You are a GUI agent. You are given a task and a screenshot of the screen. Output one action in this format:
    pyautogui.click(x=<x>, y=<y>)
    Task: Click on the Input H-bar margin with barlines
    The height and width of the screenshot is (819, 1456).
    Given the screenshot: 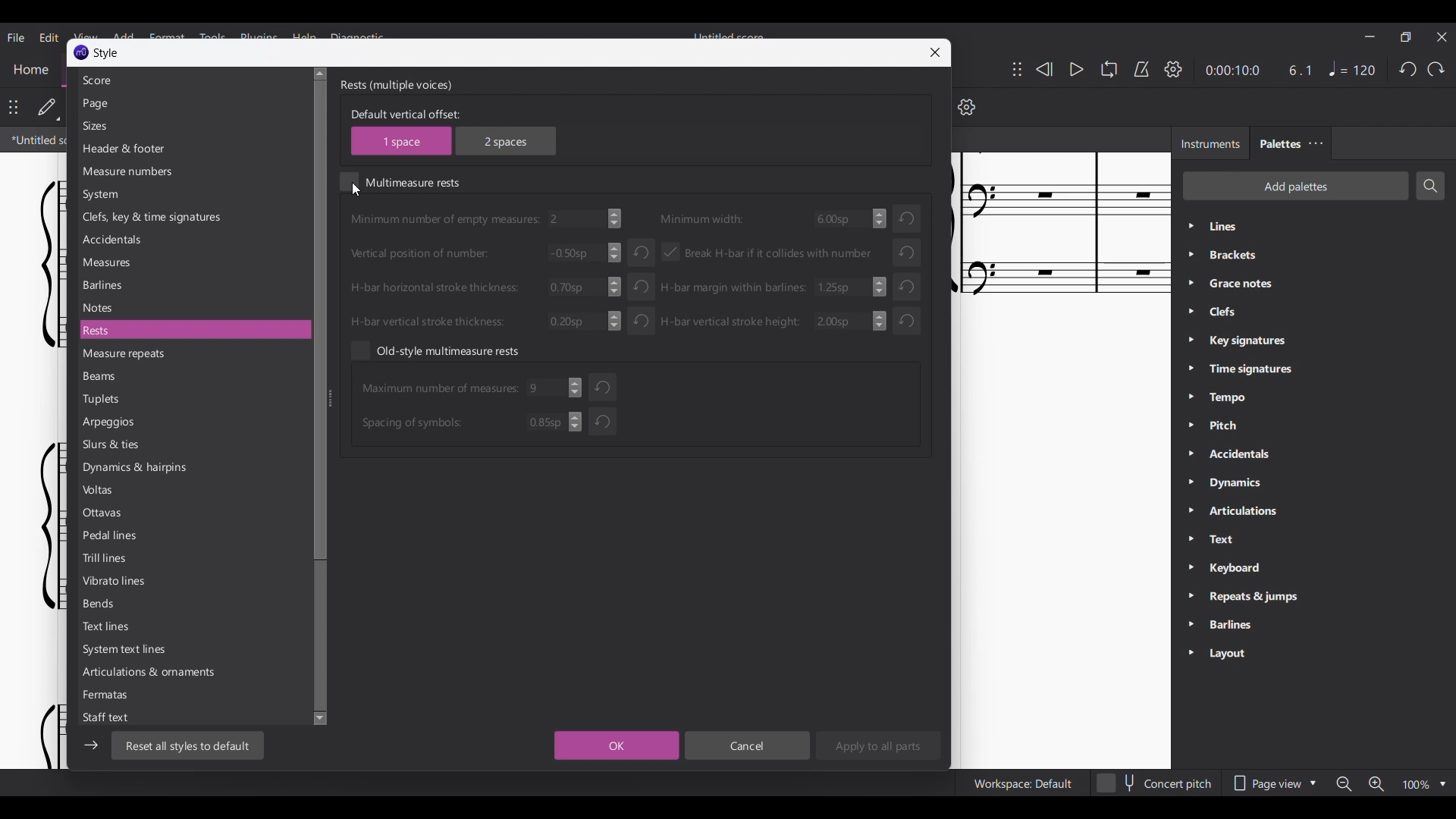 What is the action you would take?
    pyautogui.click(x=764, y=287)
    